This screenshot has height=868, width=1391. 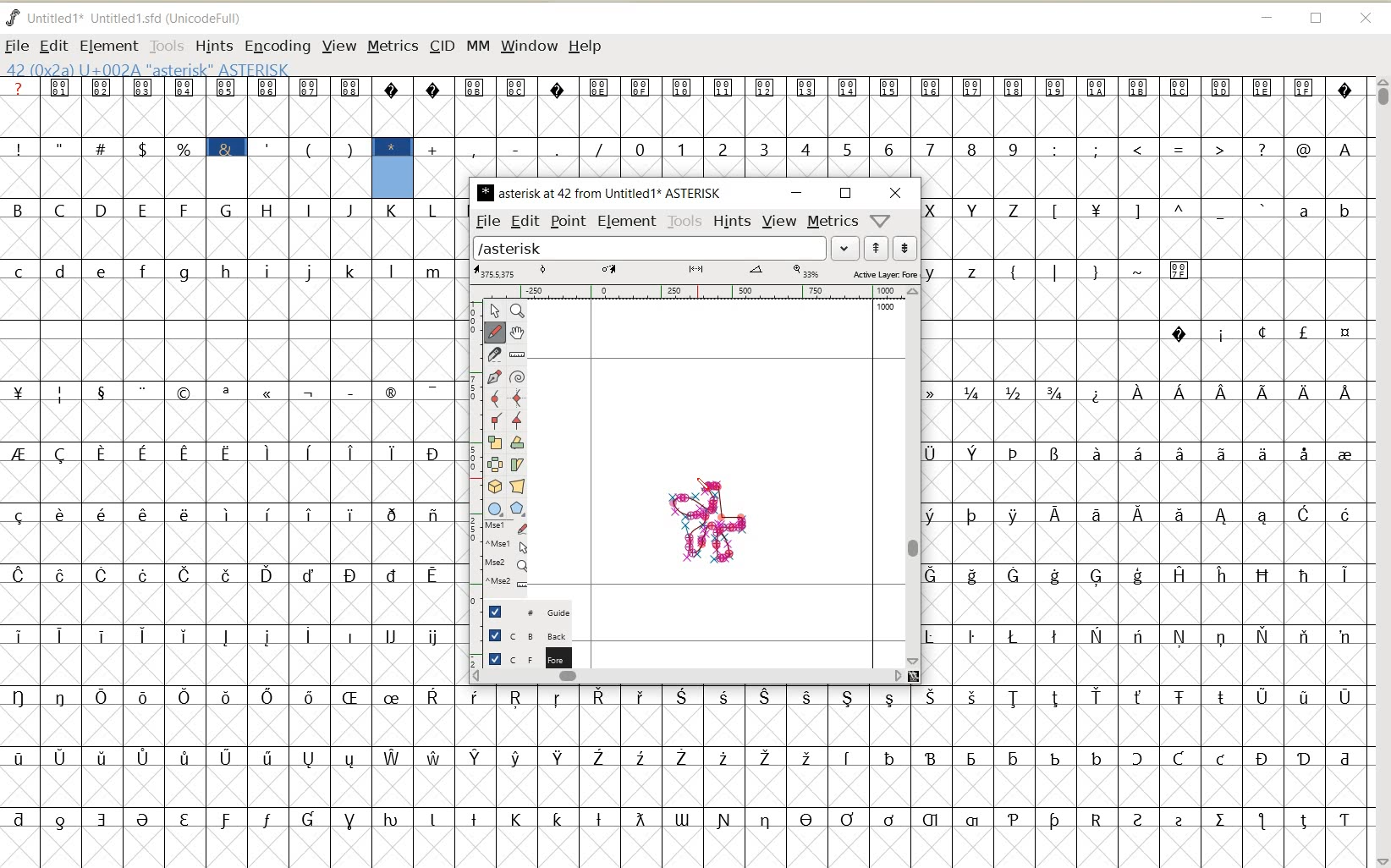 What do you see at coordinates (495, 311) in the screenshot?
I see `pointer` at bounding box center [495, 311].